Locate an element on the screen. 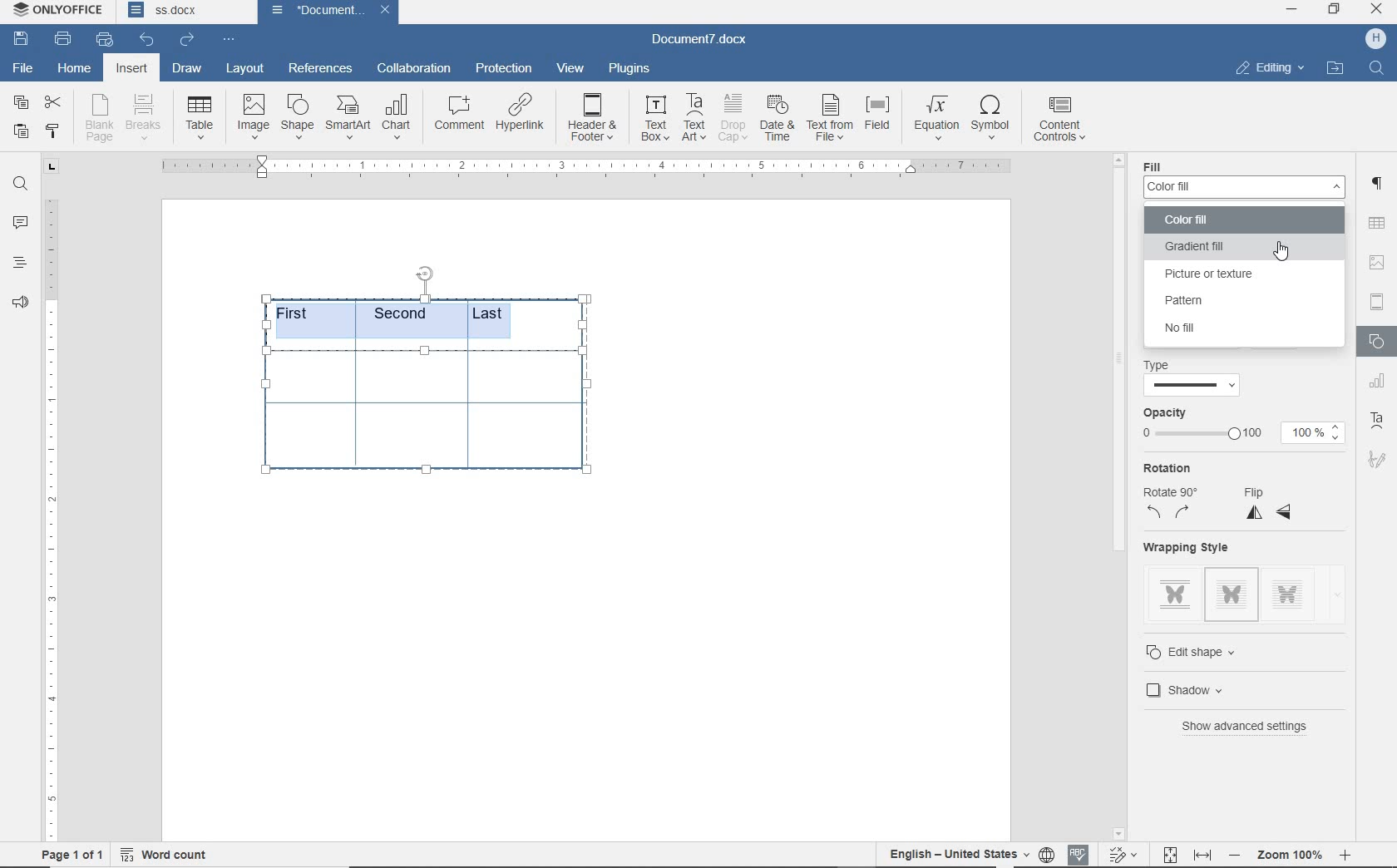  type is located at coordinates (1166, 364).